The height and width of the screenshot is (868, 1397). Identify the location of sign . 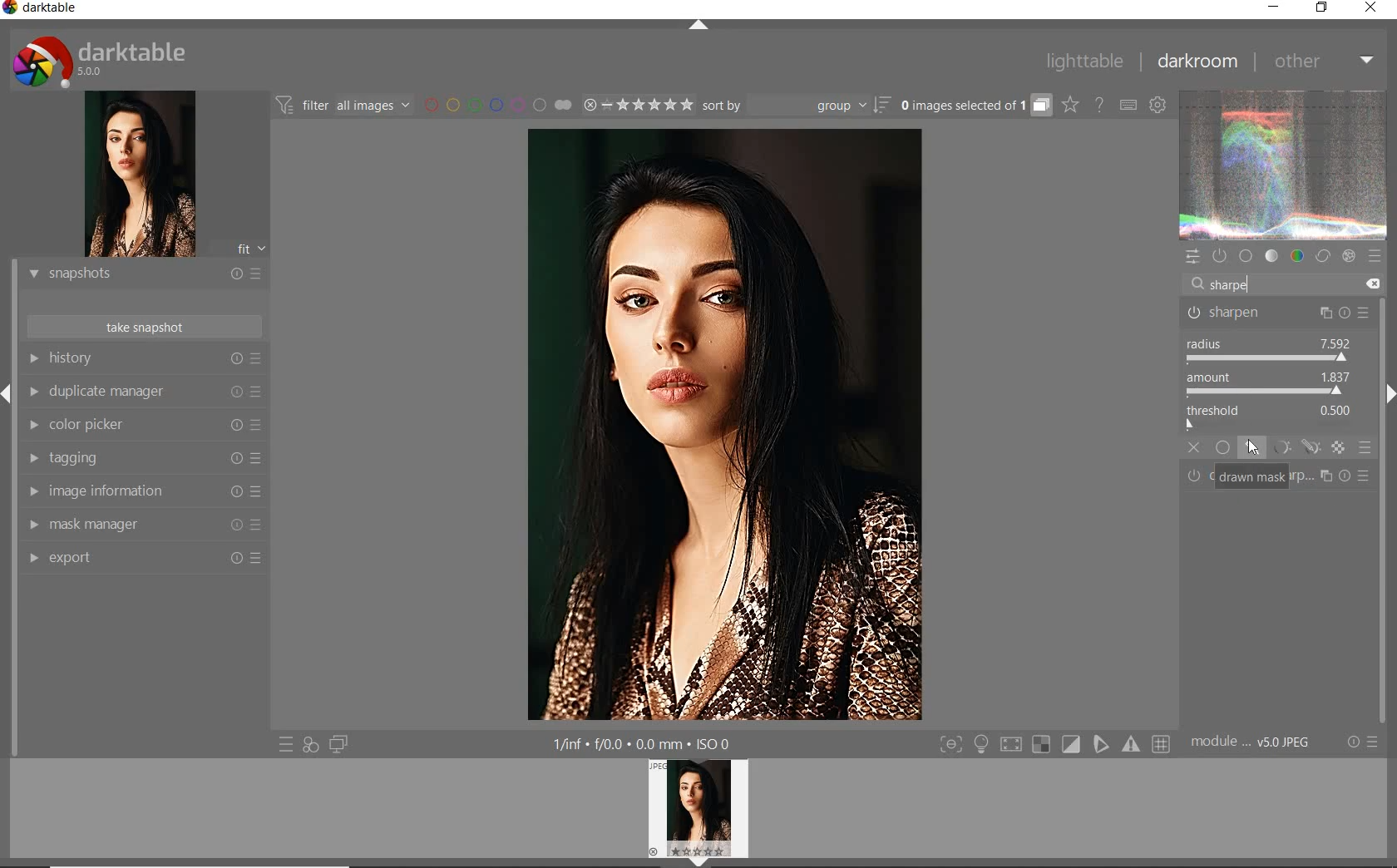
(1042, 746).